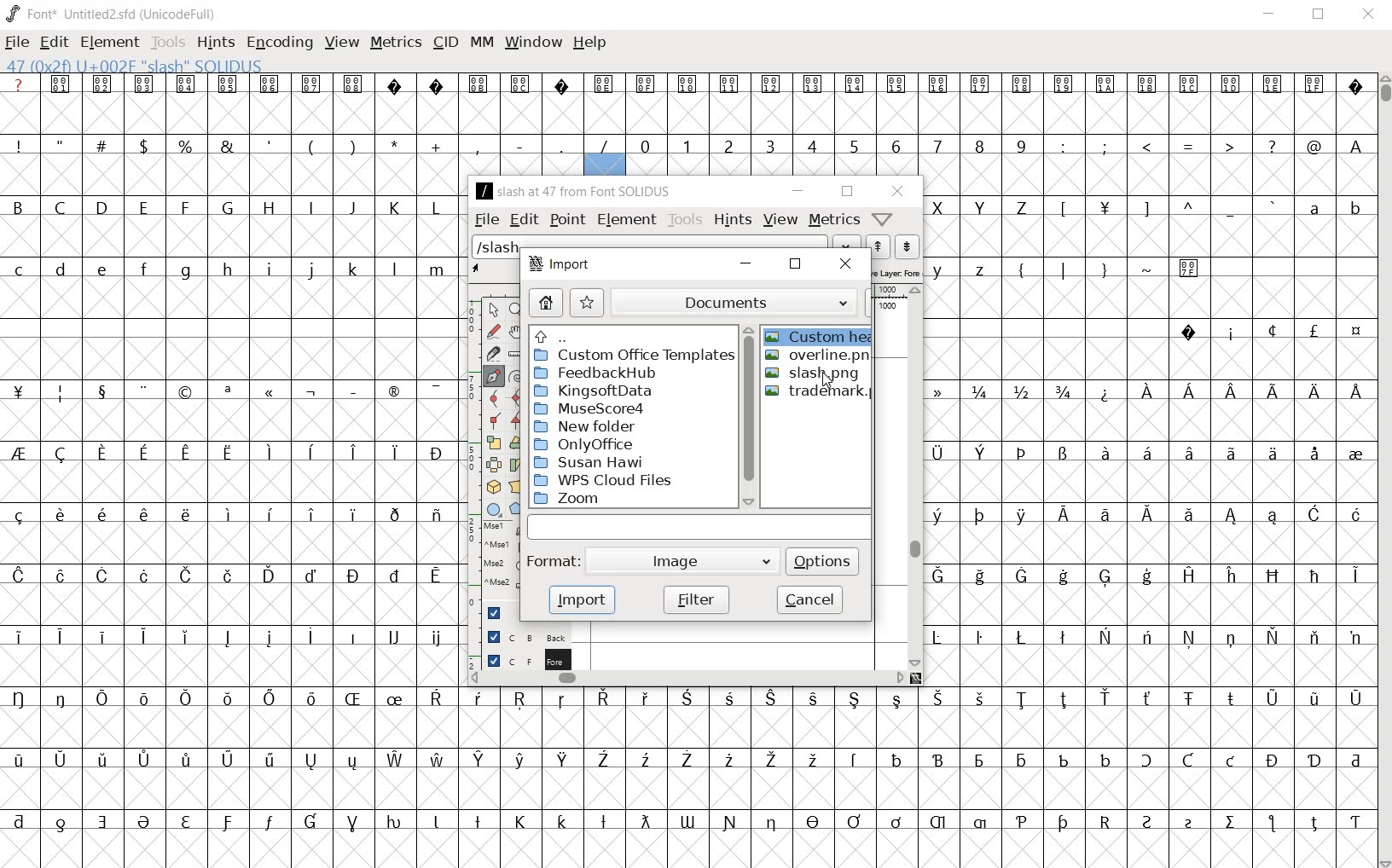 The image size is (1392, 868). What do you see at coordinates (586, 303) in the screenshot?
I see `star` at bounding box center [586, 303].